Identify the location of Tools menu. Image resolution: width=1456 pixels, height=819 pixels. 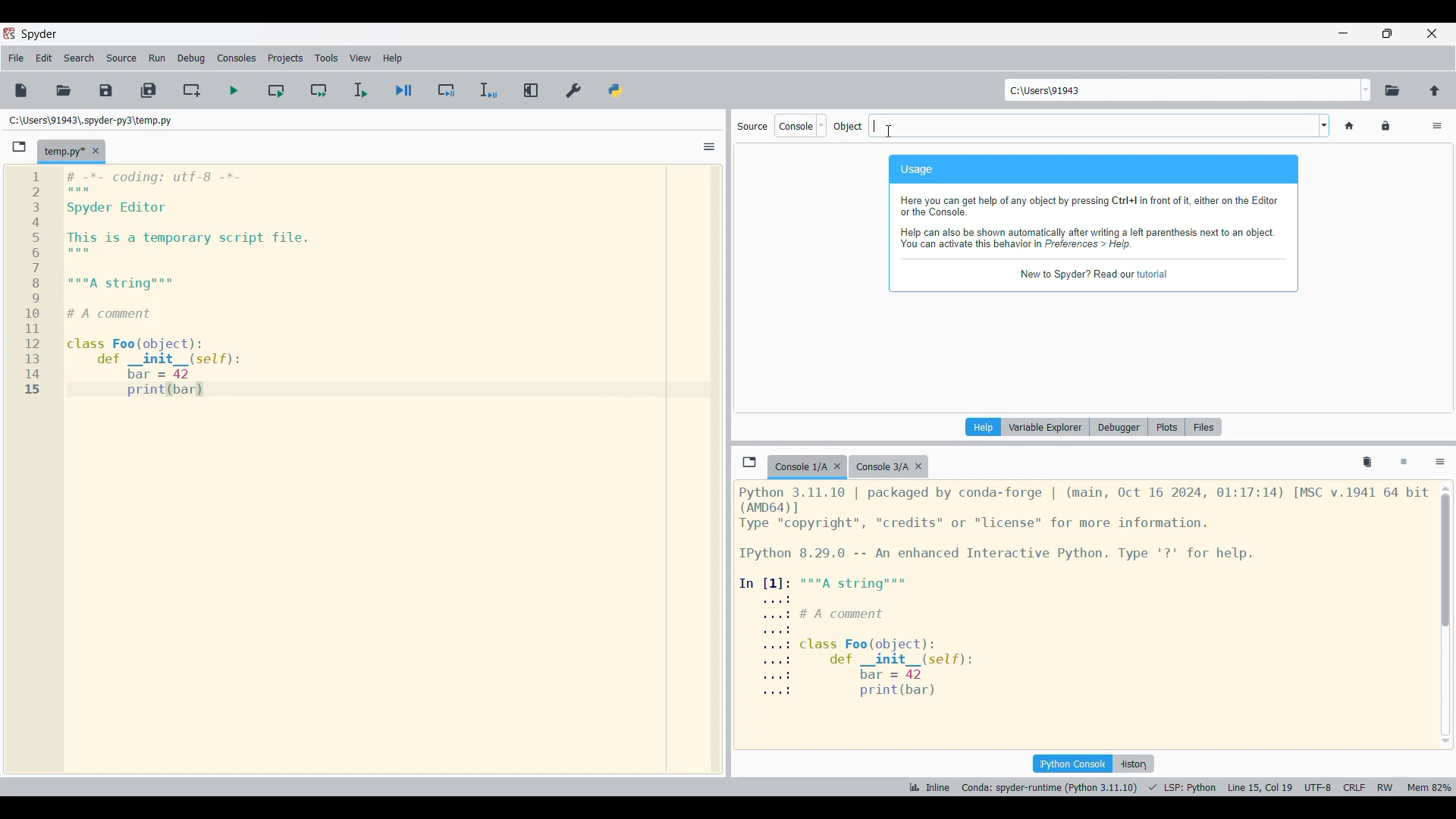
(326, 58).